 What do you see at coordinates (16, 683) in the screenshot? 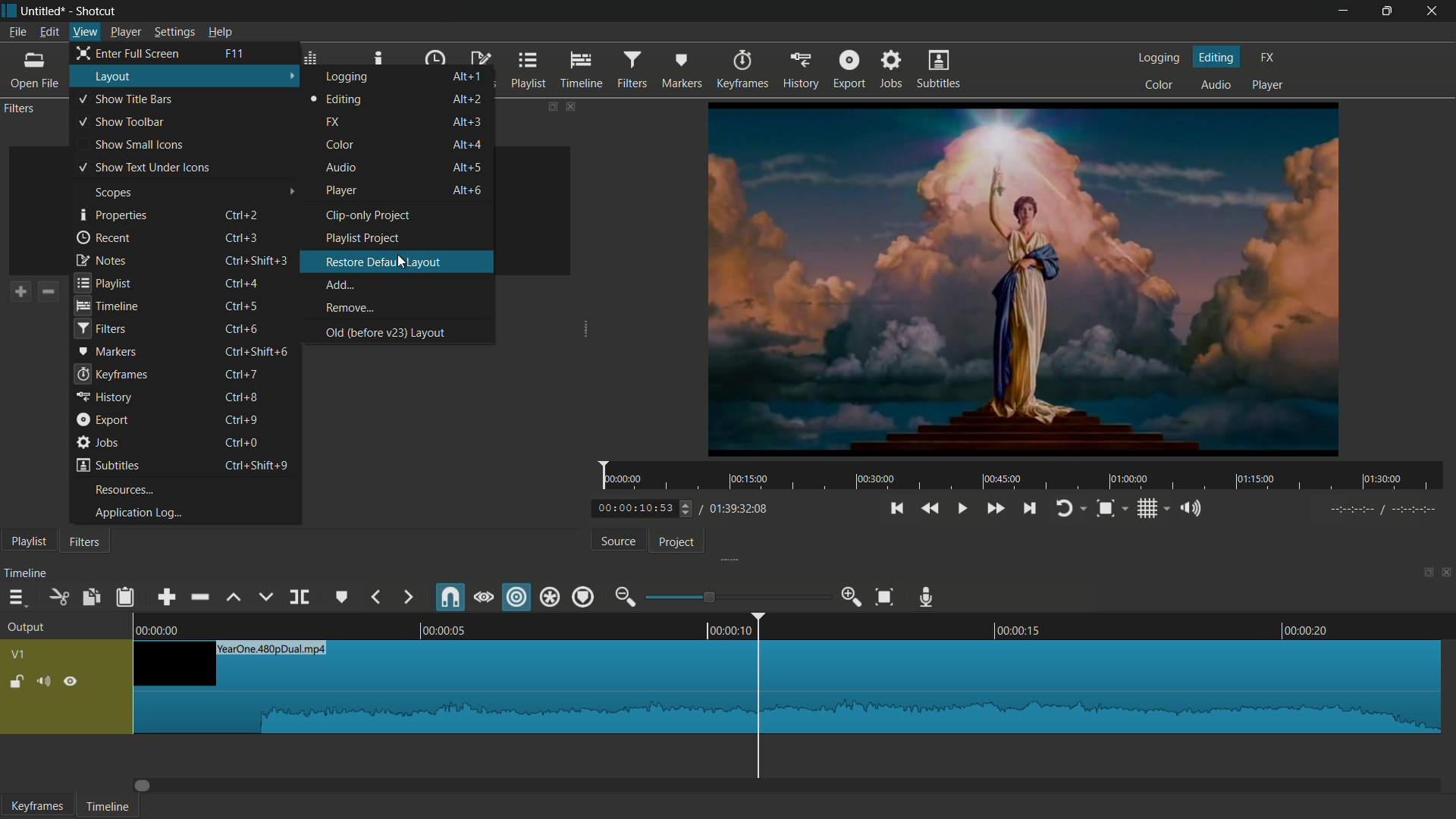
I see `lock` at bounding box center [16, 683].